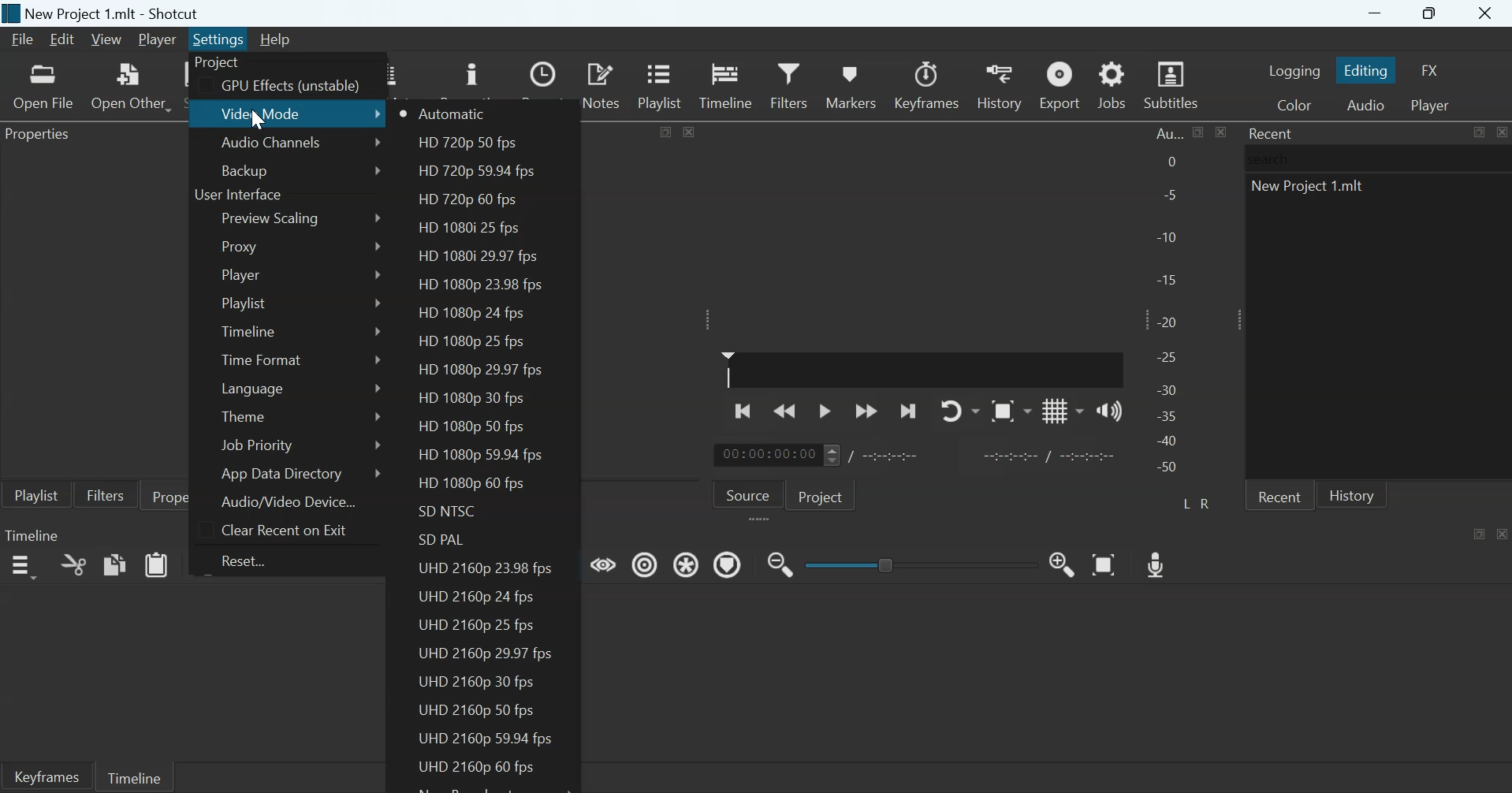  Describe the element at coordinates (1279, 495) in the screenshot. I see `Recent` at that location.